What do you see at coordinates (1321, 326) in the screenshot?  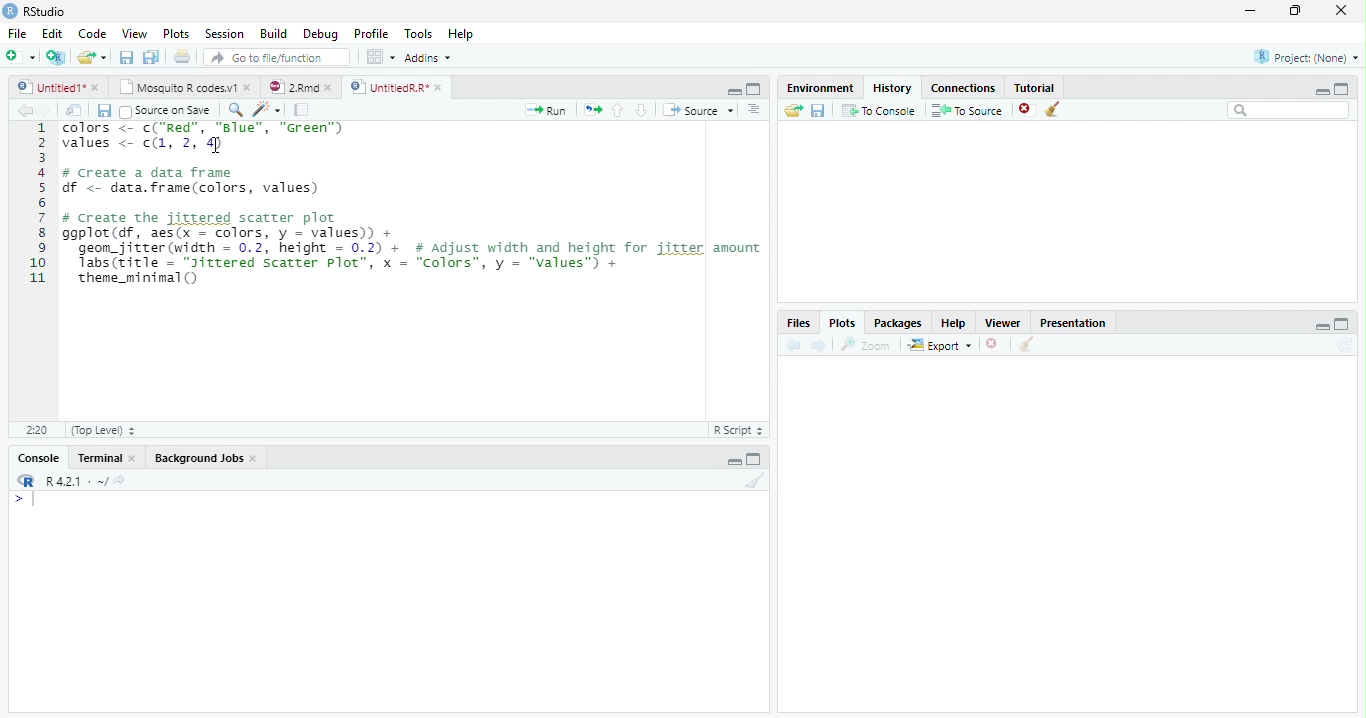 I see `Minimize` at bounding box center [1321, 326].